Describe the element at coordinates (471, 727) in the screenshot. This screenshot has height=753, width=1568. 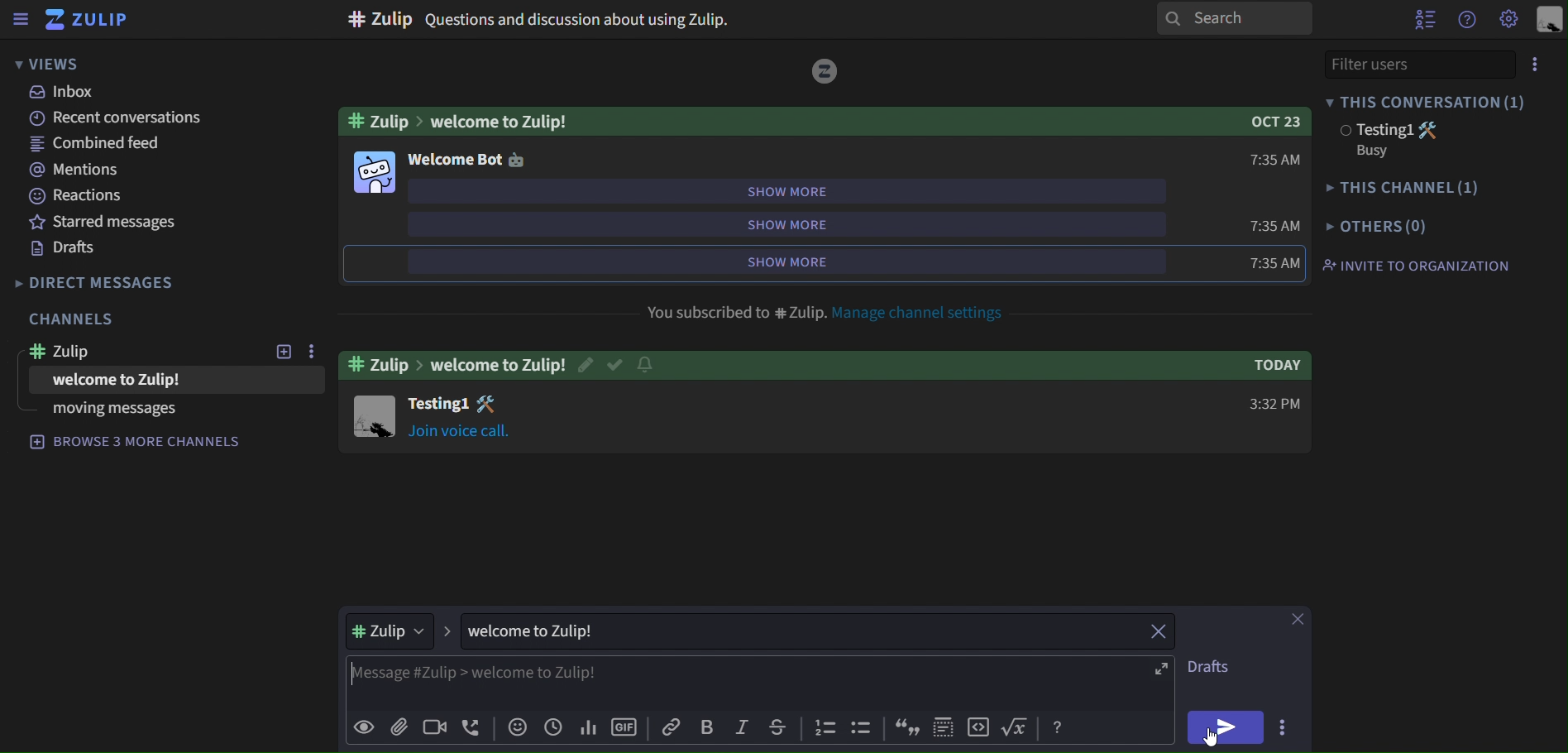
I see `add voice call` at that location.